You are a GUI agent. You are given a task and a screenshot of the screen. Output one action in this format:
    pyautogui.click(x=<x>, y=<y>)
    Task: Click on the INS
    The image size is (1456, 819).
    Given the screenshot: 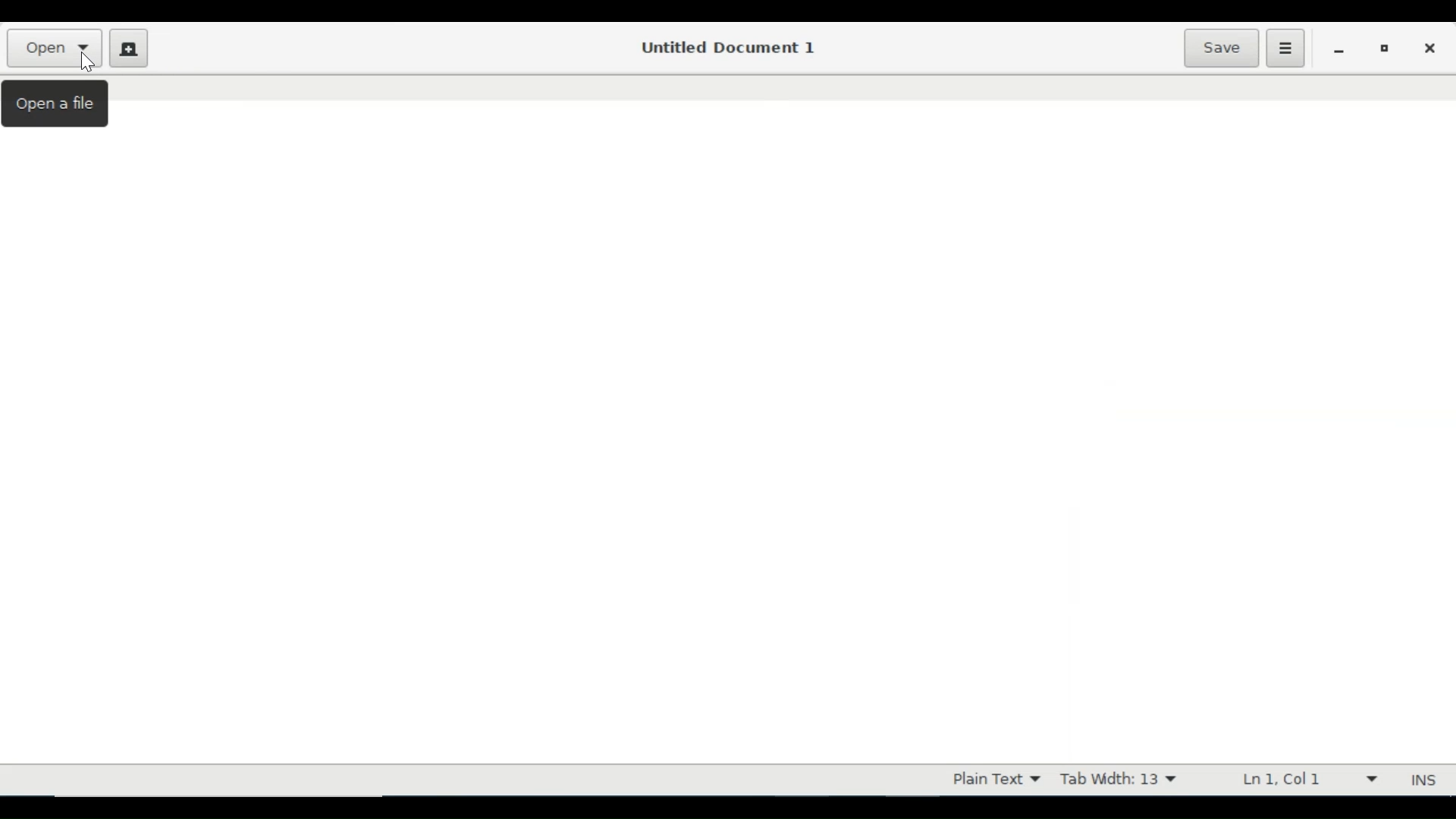 What is the action you would take?
    pyautogui.click(x=1426, y=780)
    